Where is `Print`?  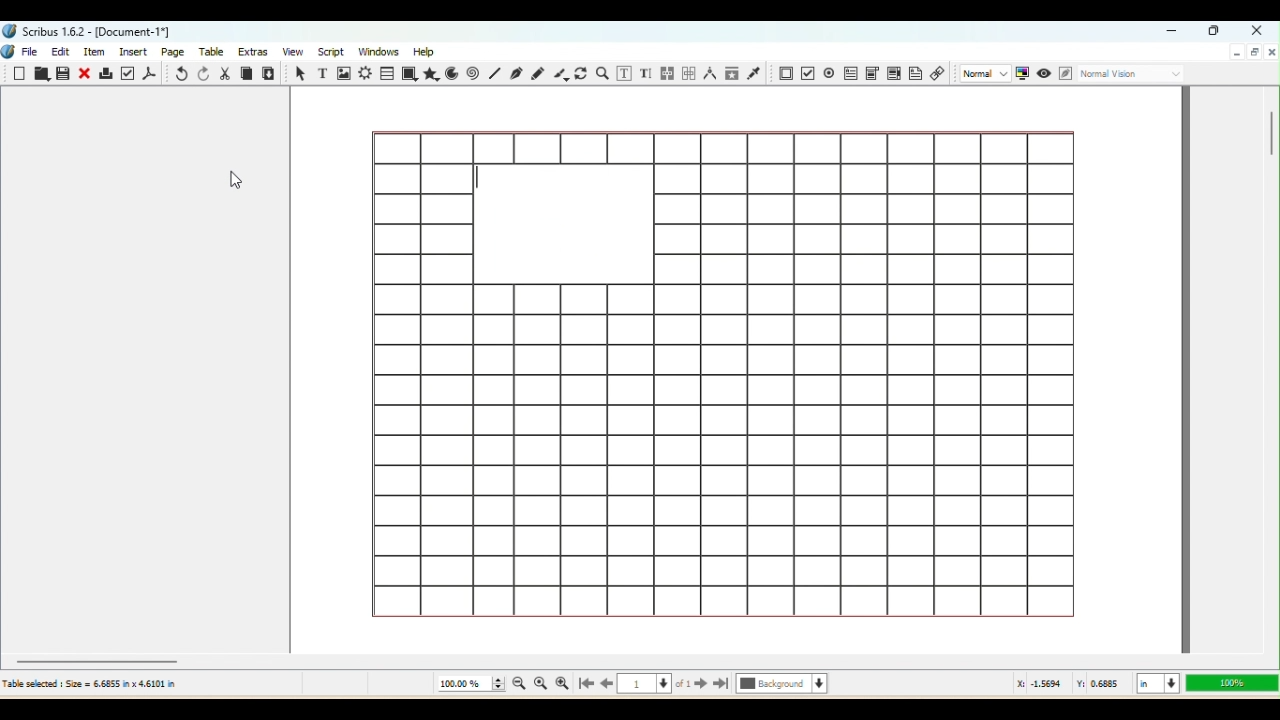
Print is located at coordinates (106, 75).